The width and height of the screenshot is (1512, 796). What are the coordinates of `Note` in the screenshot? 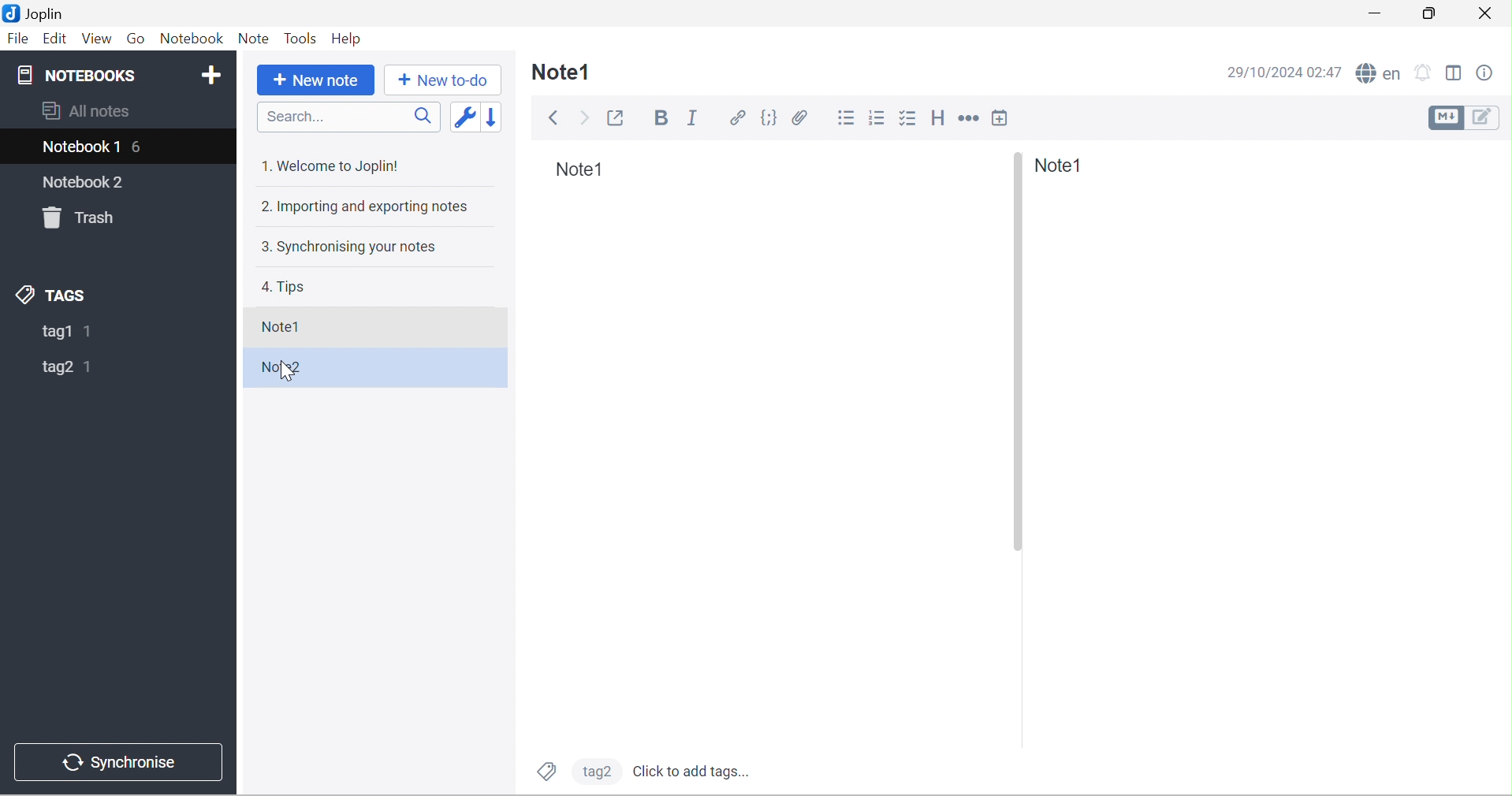 It's located at (255, 39).